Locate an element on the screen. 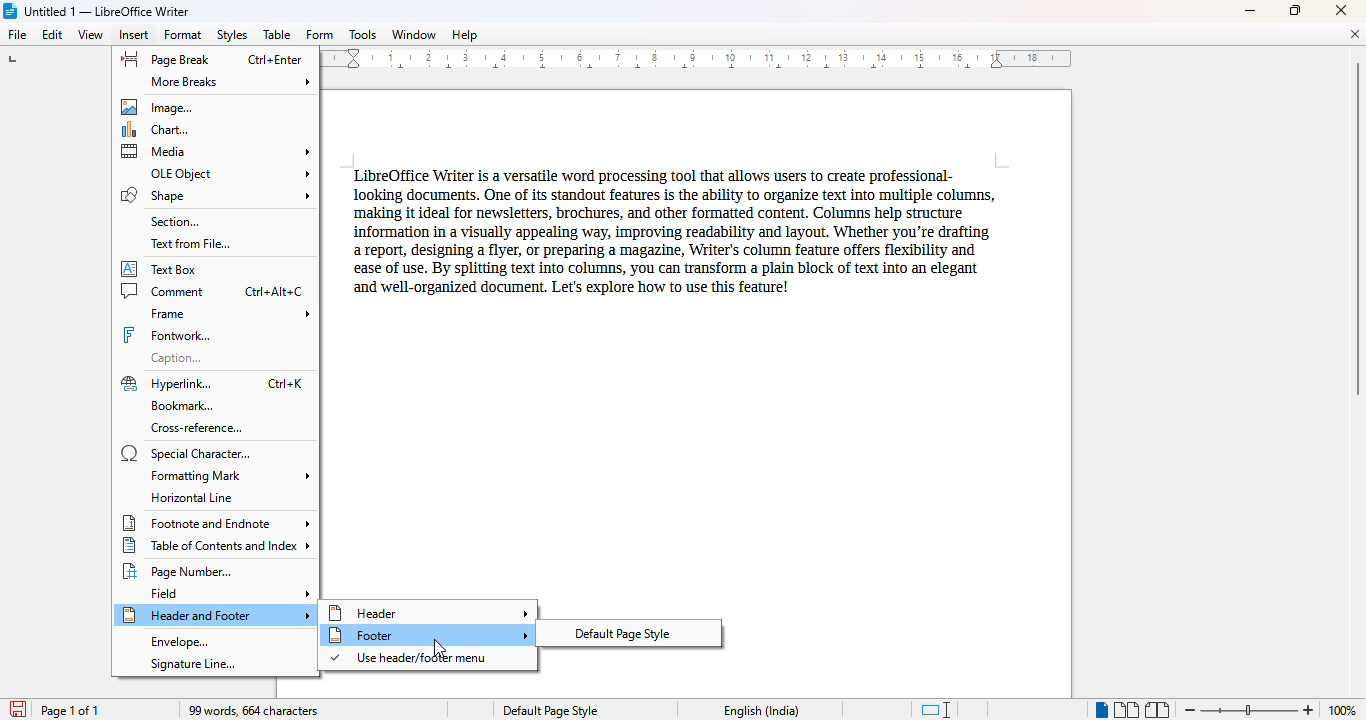  English (India) is located at coordinates (762, 711).